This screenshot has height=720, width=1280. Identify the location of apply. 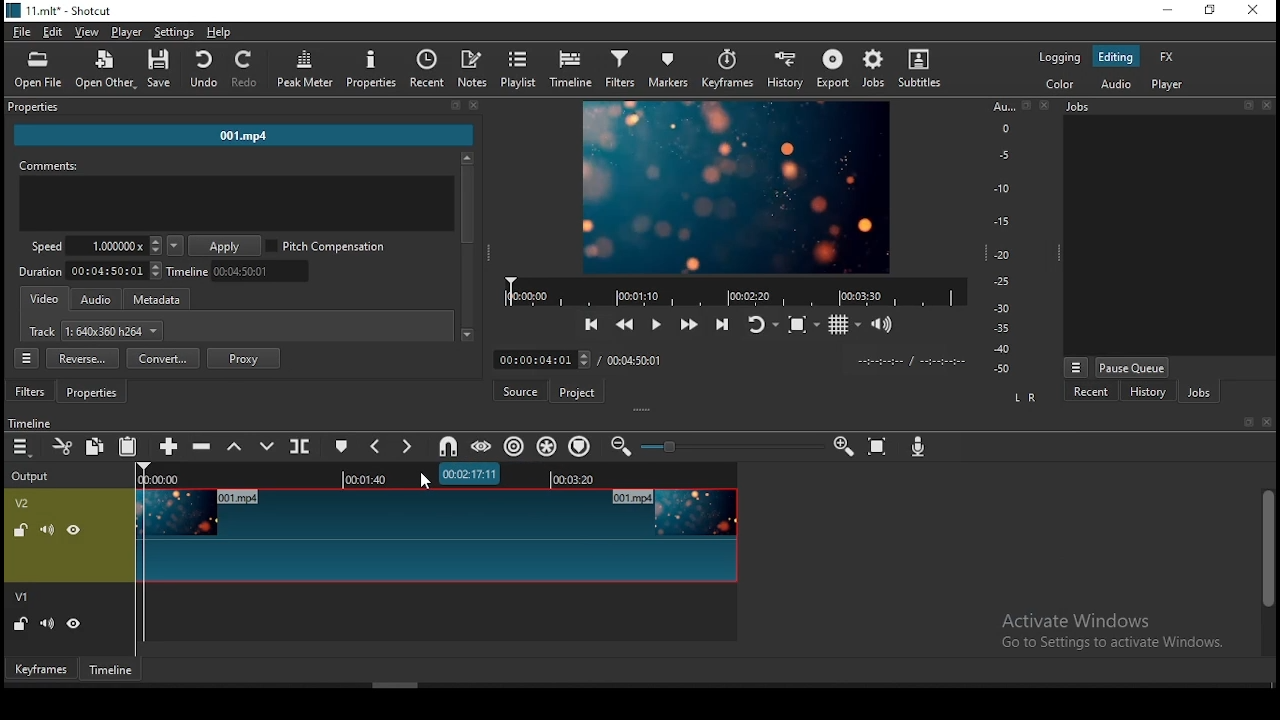
(227, 247).